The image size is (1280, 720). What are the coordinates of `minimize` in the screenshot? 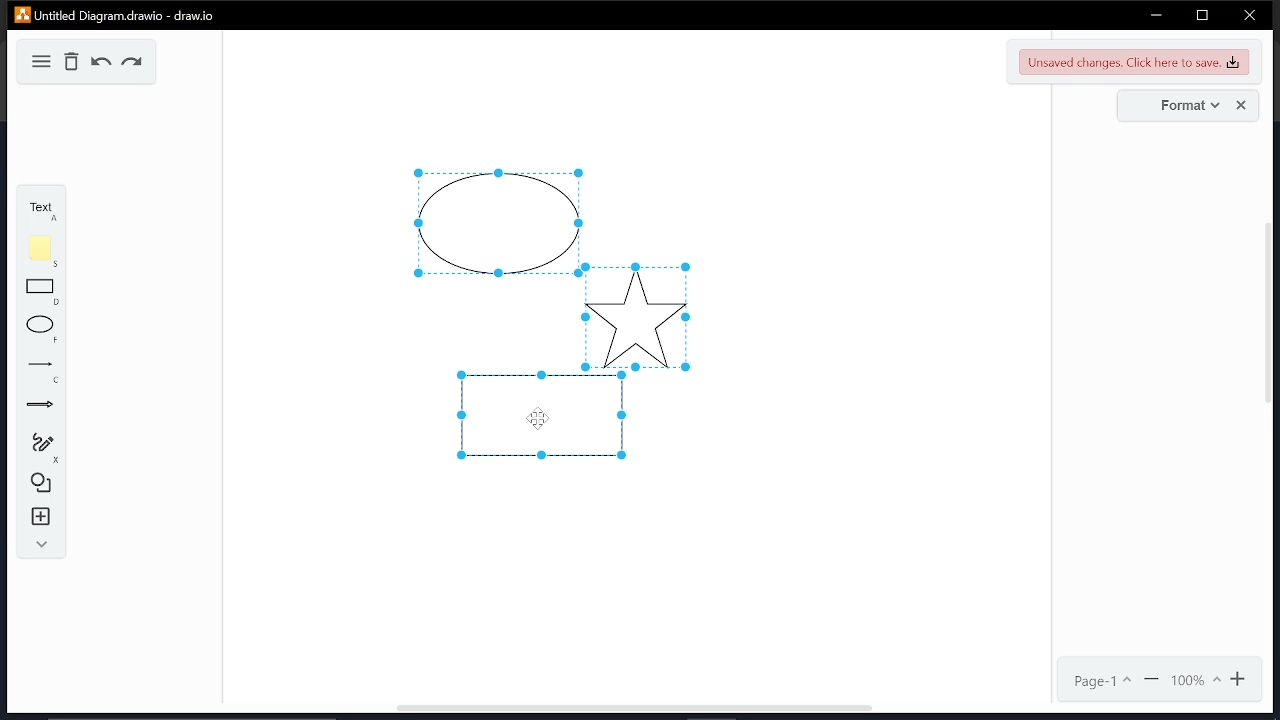 It's located at (1156, 15).